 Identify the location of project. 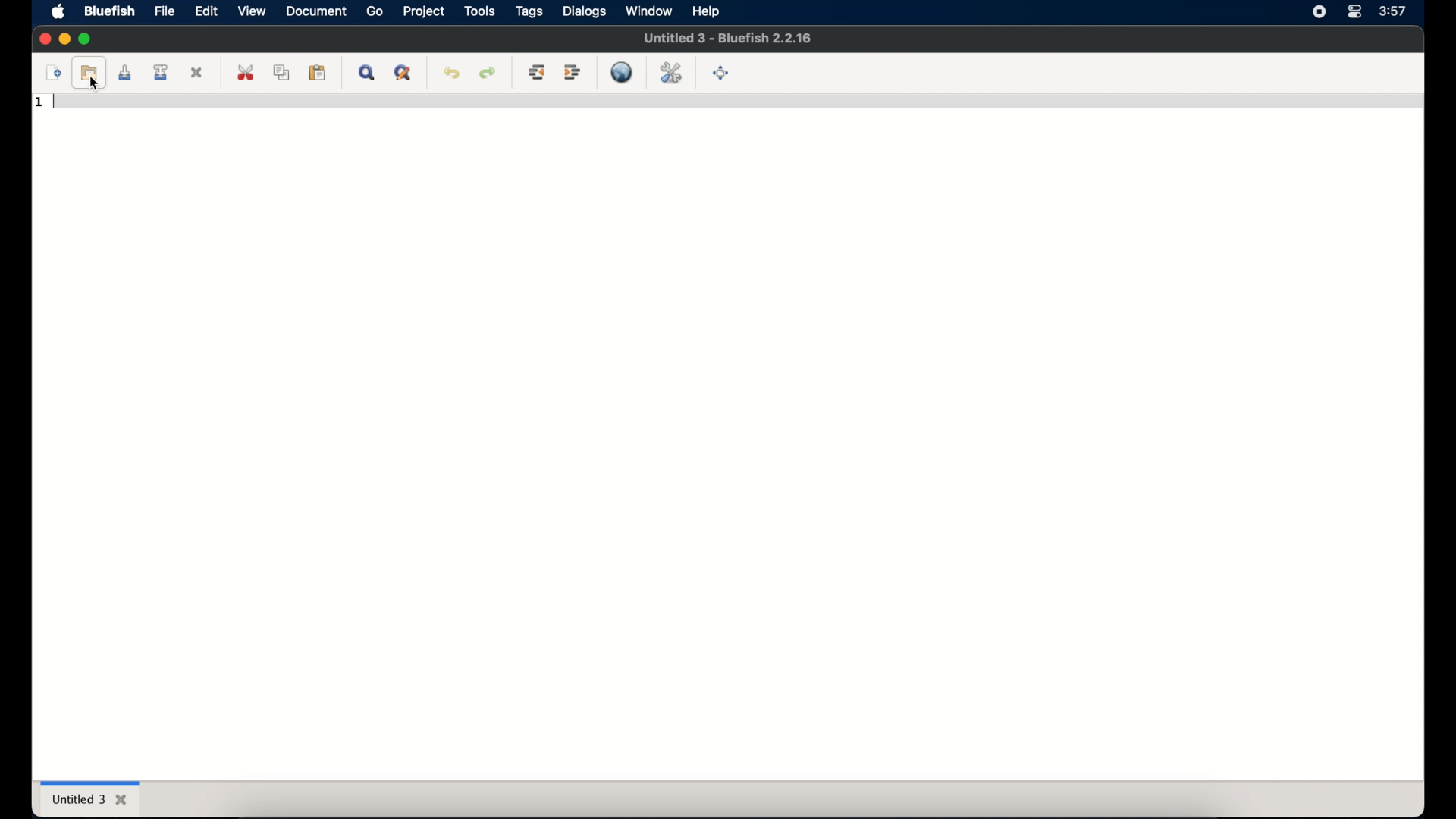
(423, 11).